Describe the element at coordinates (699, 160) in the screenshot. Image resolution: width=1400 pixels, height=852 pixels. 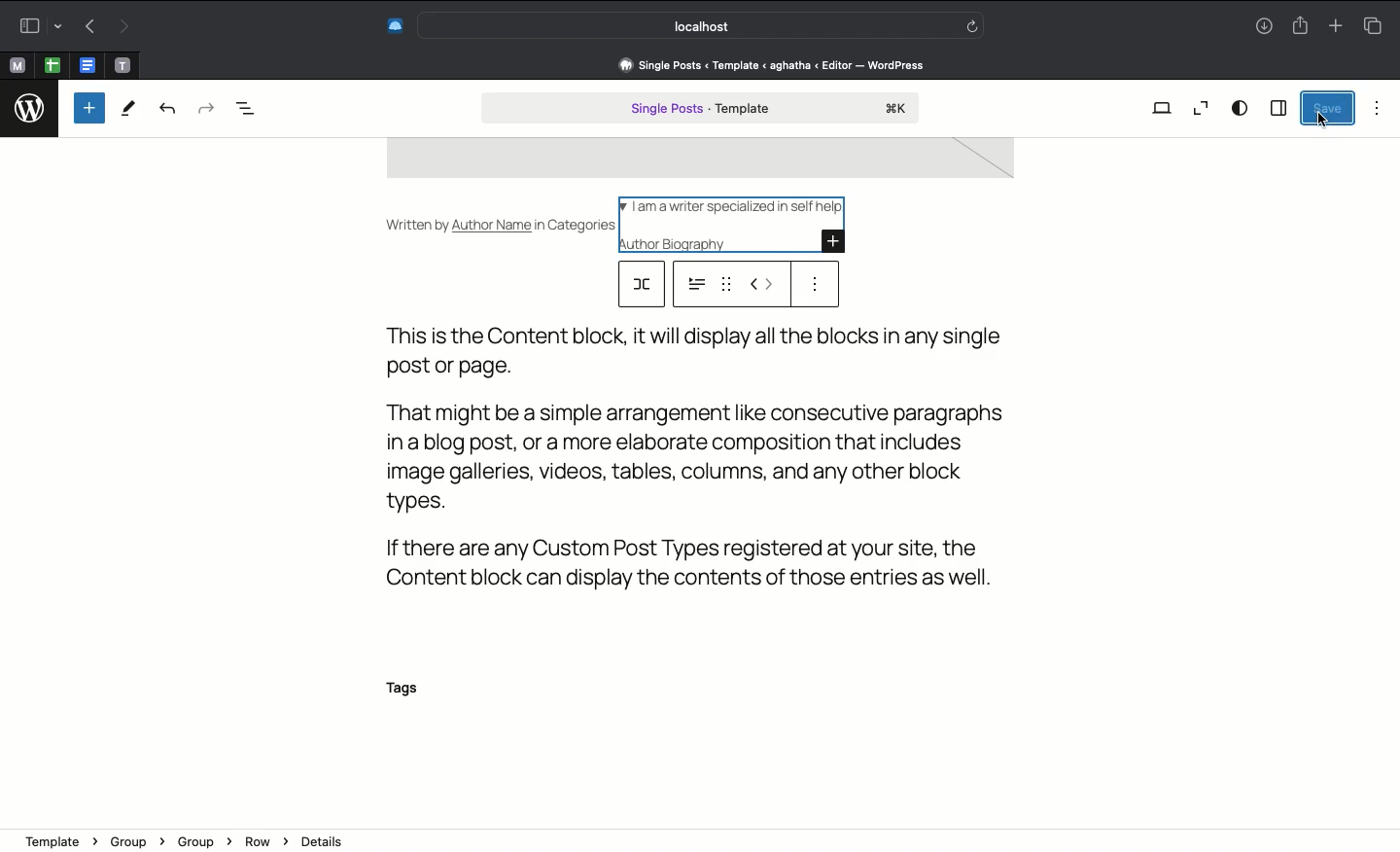
I see `image` at that location.